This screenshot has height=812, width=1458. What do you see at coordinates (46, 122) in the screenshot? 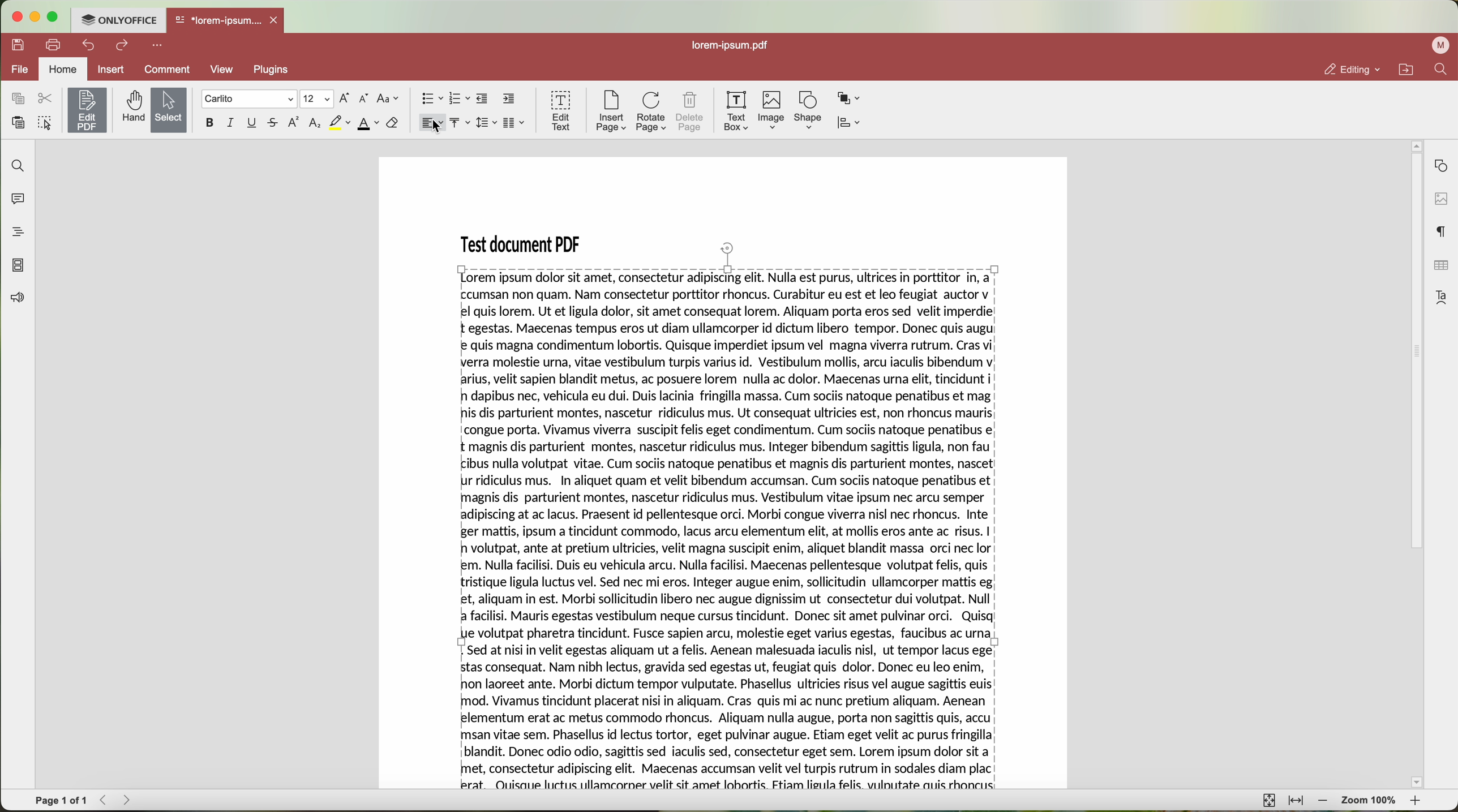
I see `select all` at bounding box center [46, 122].